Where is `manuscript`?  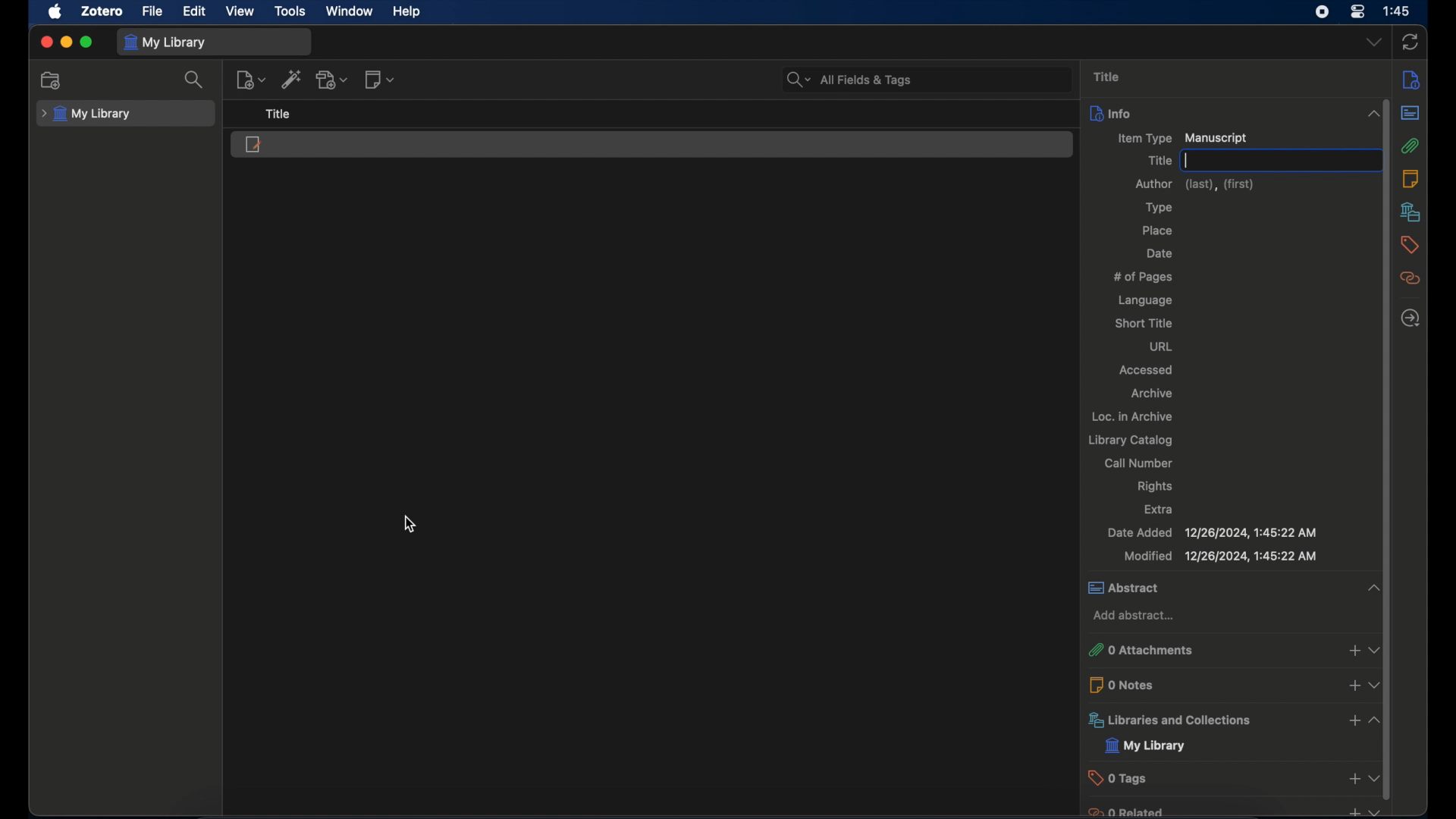 manuscript is located at coordinates (253, 144).